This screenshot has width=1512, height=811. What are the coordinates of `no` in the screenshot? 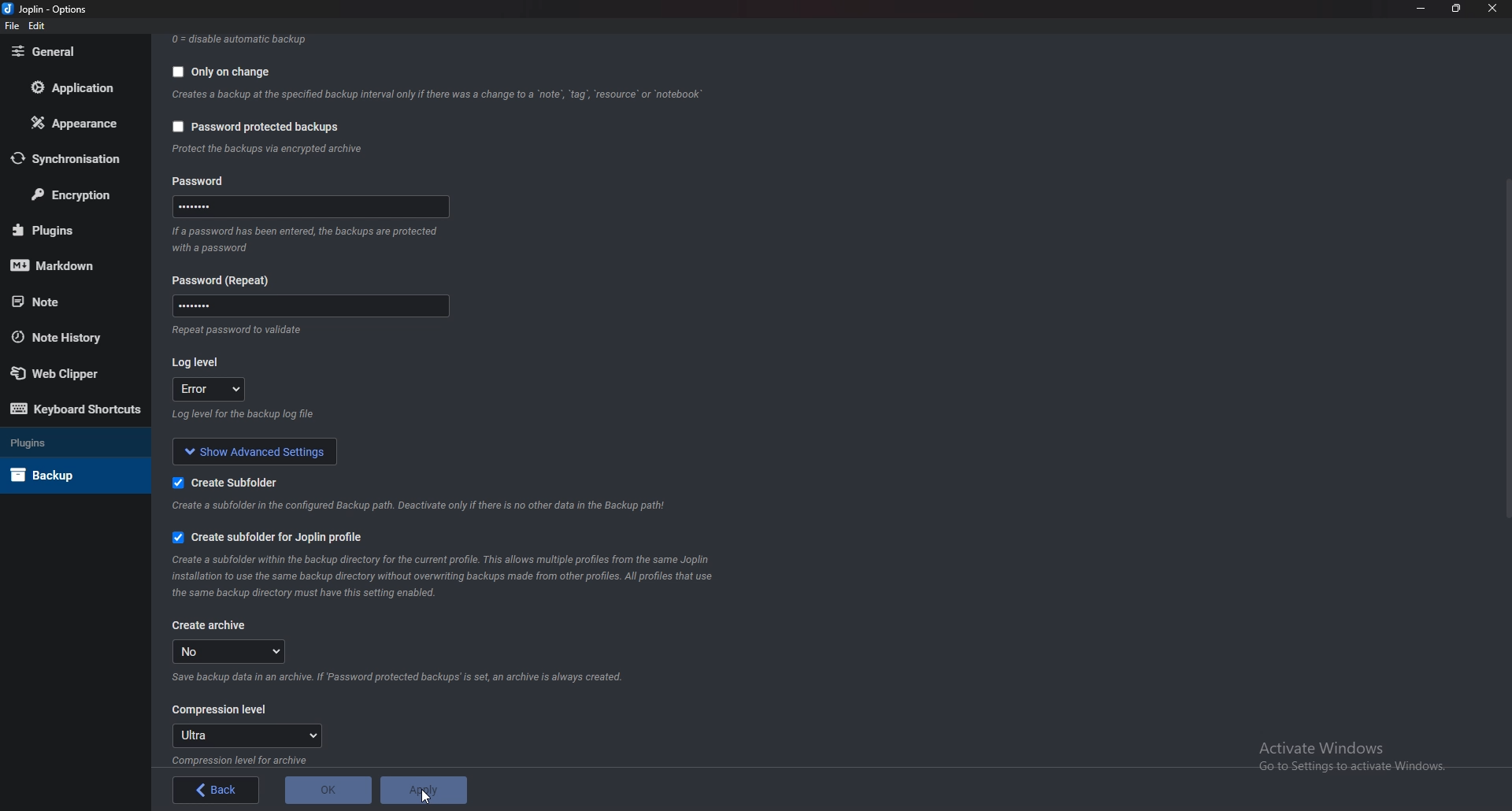 It's located at (233, 651).